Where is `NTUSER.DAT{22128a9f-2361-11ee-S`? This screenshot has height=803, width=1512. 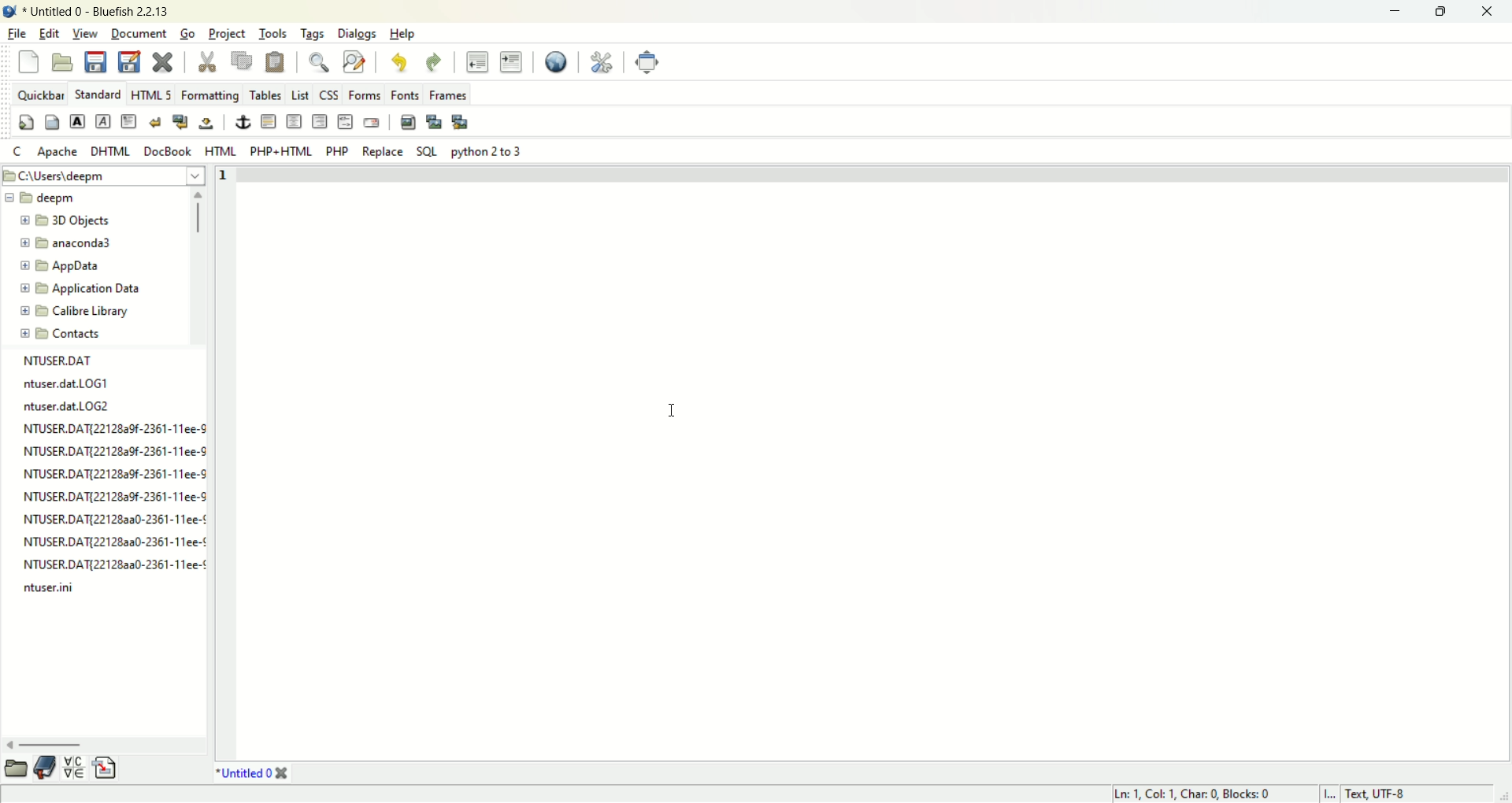 NTUSER.DAT{22128a9f-2361-11ee-S is located at coordinates (106, 494).